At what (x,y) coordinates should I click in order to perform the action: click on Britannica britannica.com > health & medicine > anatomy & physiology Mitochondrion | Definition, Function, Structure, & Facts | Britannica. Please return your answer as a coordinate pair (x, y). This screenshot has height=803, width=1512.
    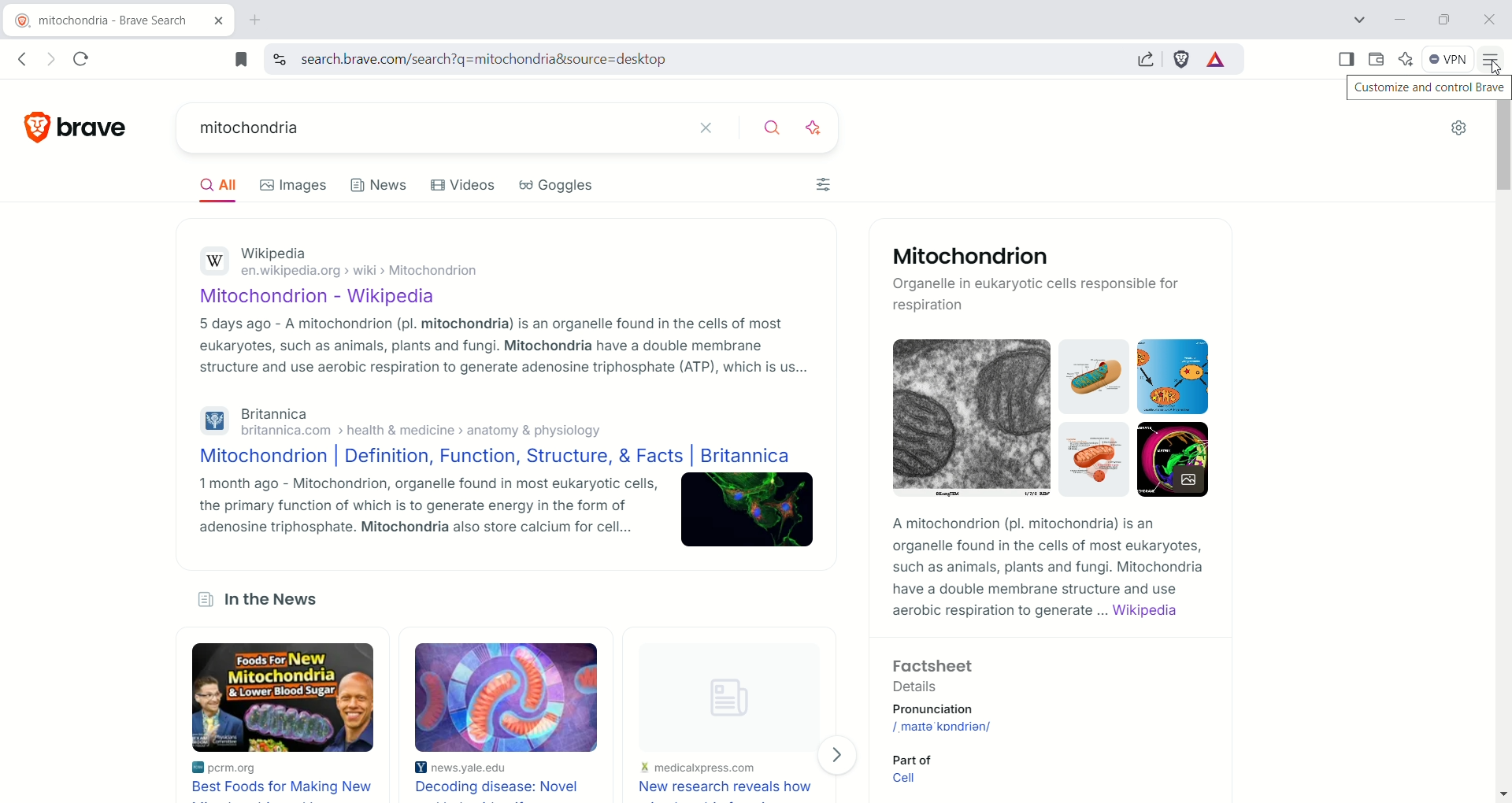
    Looking at the image, I should click on (497, 431).